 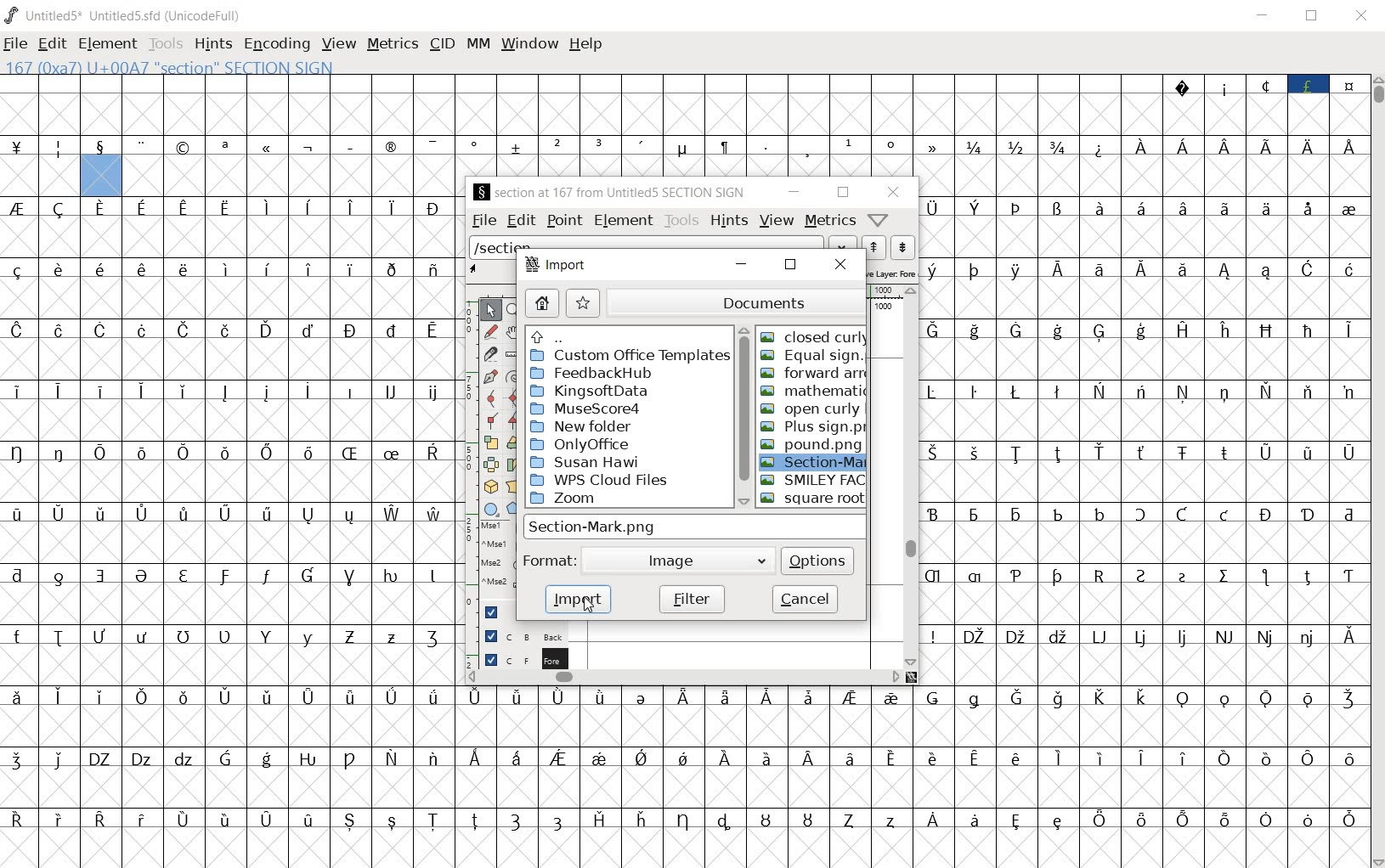 I want to click on empty cells, so click(x=229, y=667).